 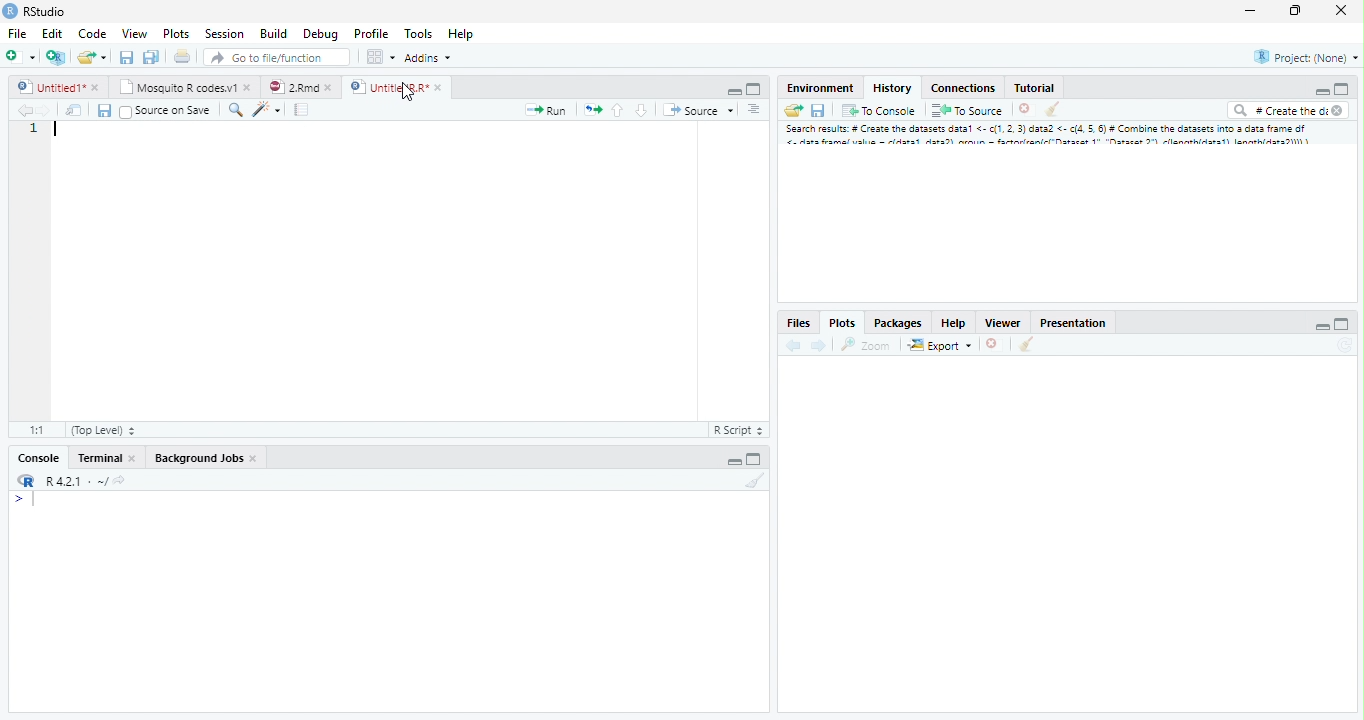 I want to click on Save all, so click(x=151, y=57).